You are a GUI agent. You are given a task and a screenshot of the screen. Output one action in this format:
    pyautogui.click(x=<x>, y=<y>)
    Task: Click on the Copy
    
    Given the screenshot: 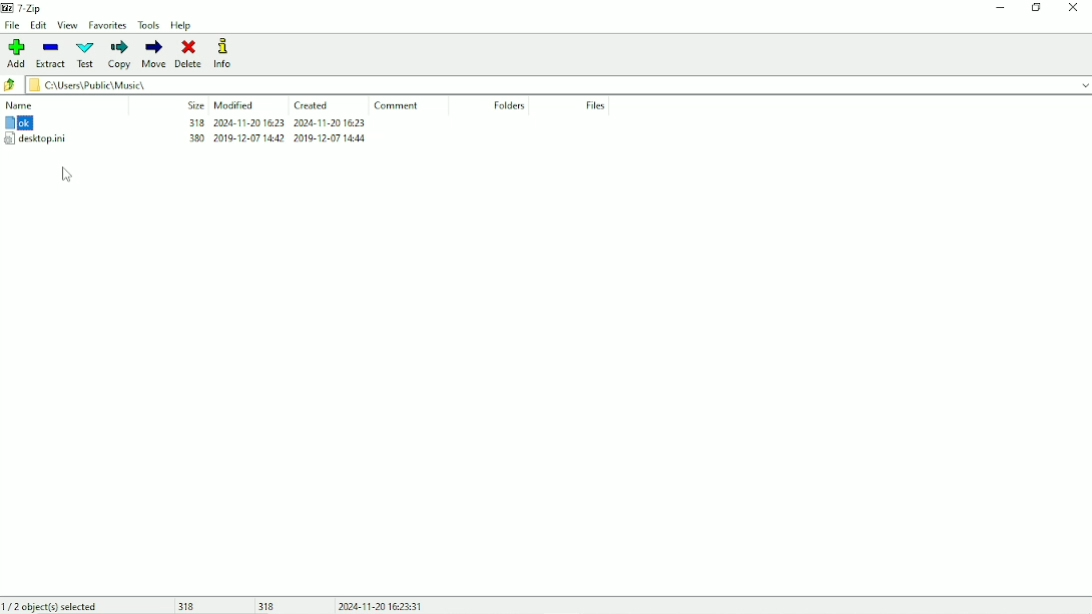 What is the action you would take?
    pyautogui.click(x=118, y=56)
    